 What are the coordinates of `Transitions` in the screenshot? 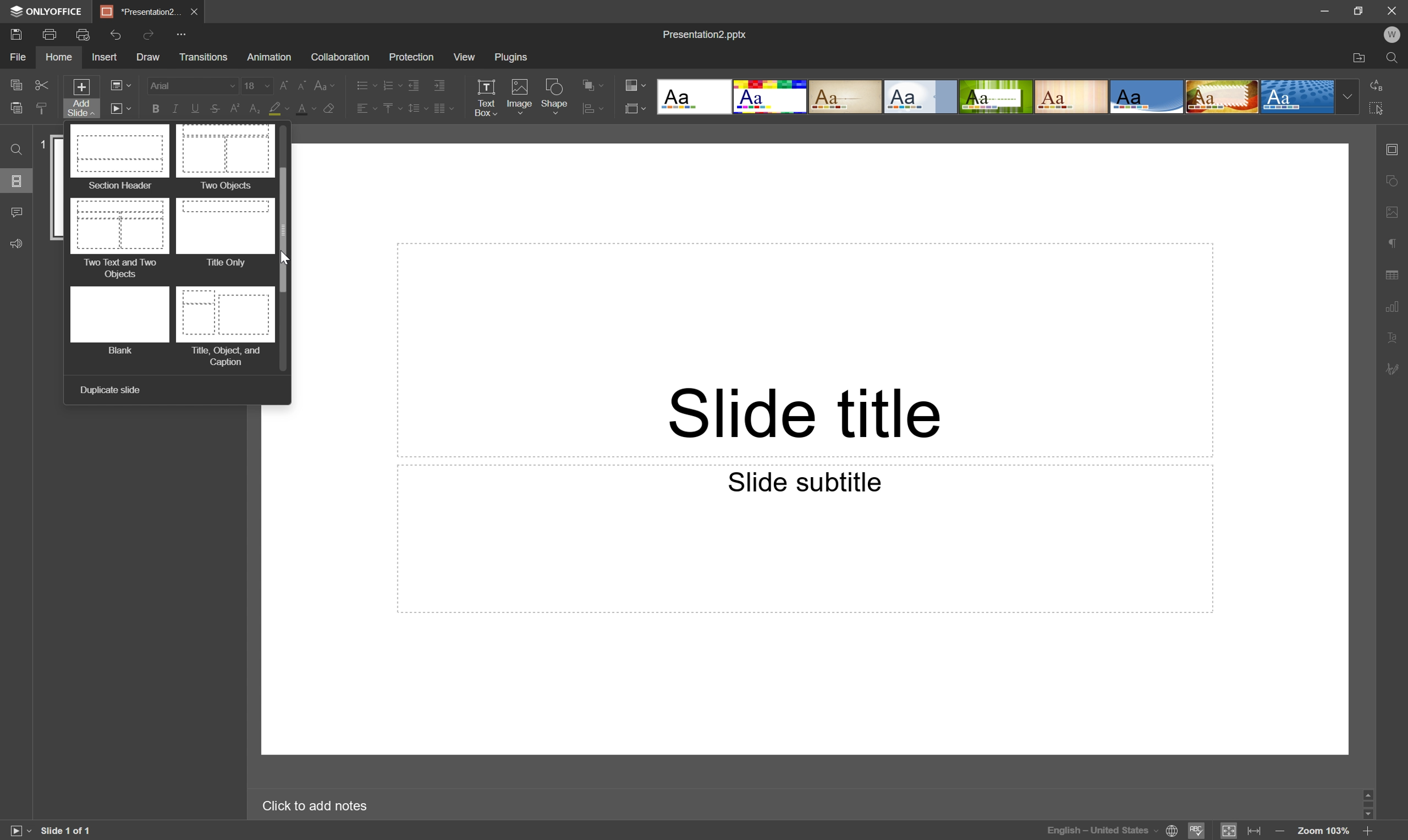 It's located at (203, 58).